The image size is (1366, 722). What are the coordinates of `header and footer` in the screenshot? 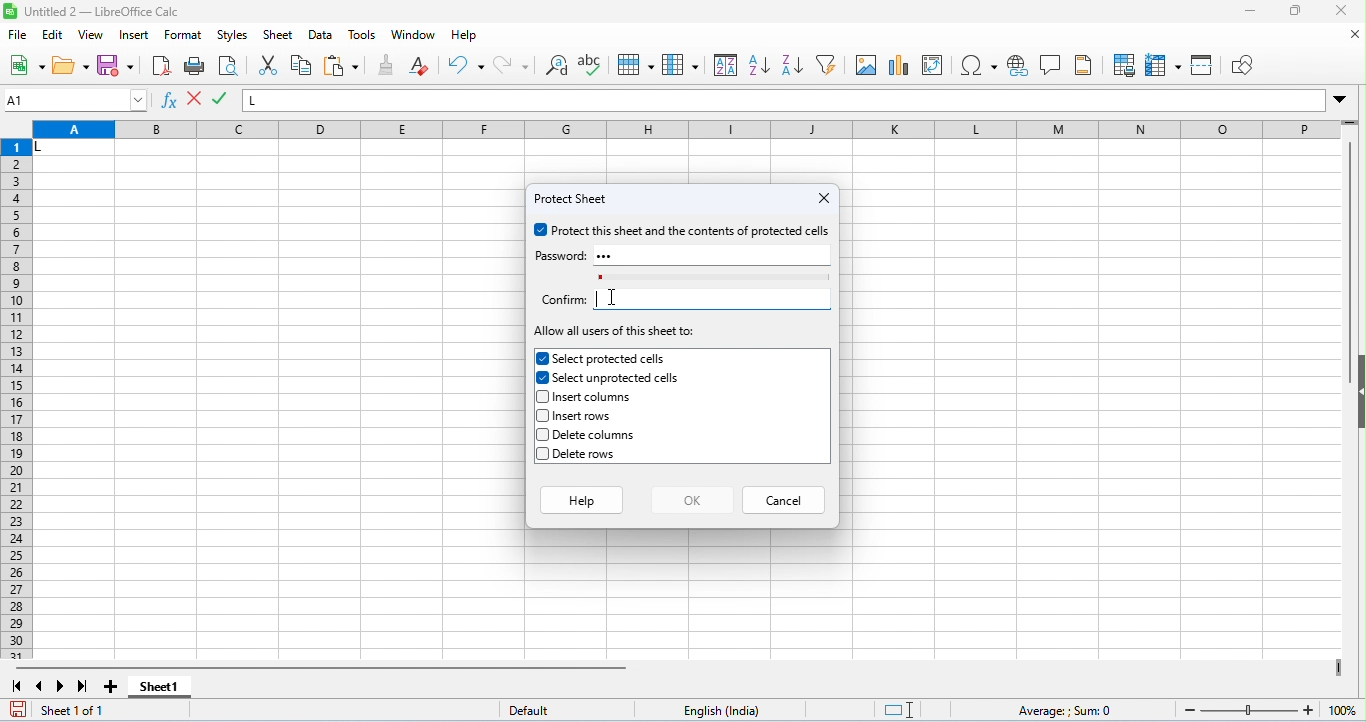 It's located at (1083, 65).